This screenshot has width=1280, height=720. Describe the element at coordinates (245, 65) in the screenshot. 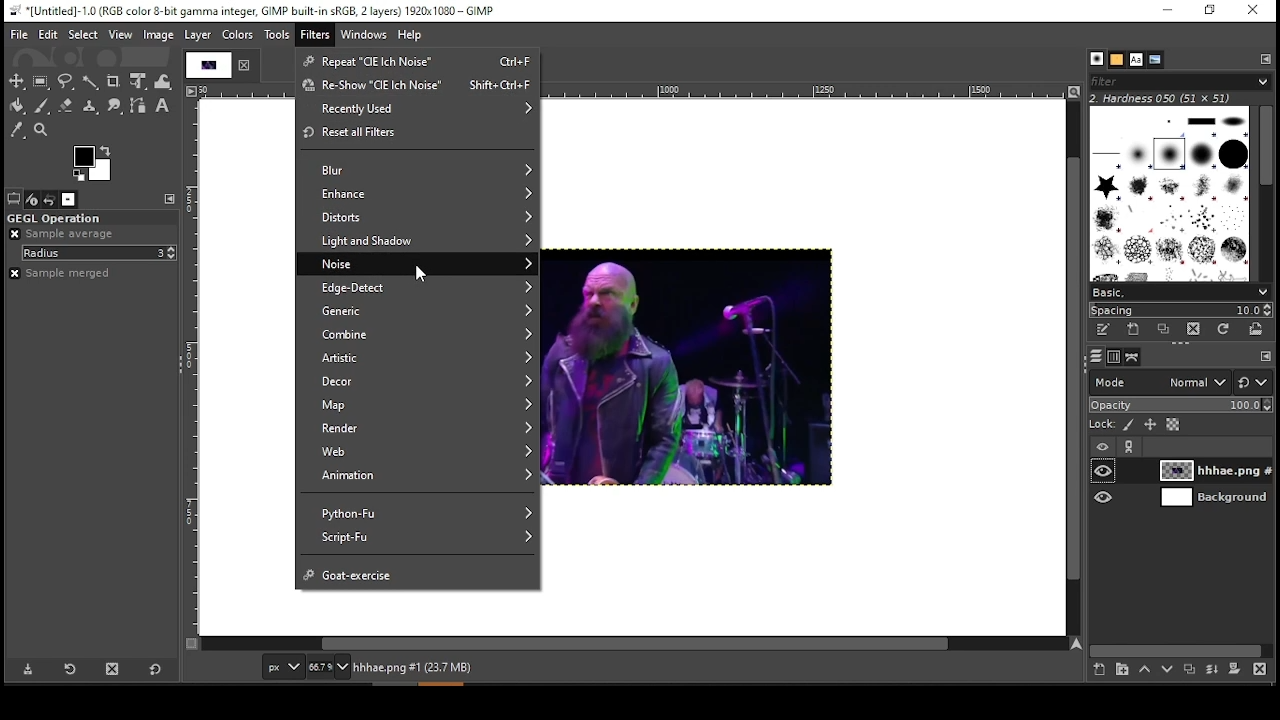

I see `close` at that location.